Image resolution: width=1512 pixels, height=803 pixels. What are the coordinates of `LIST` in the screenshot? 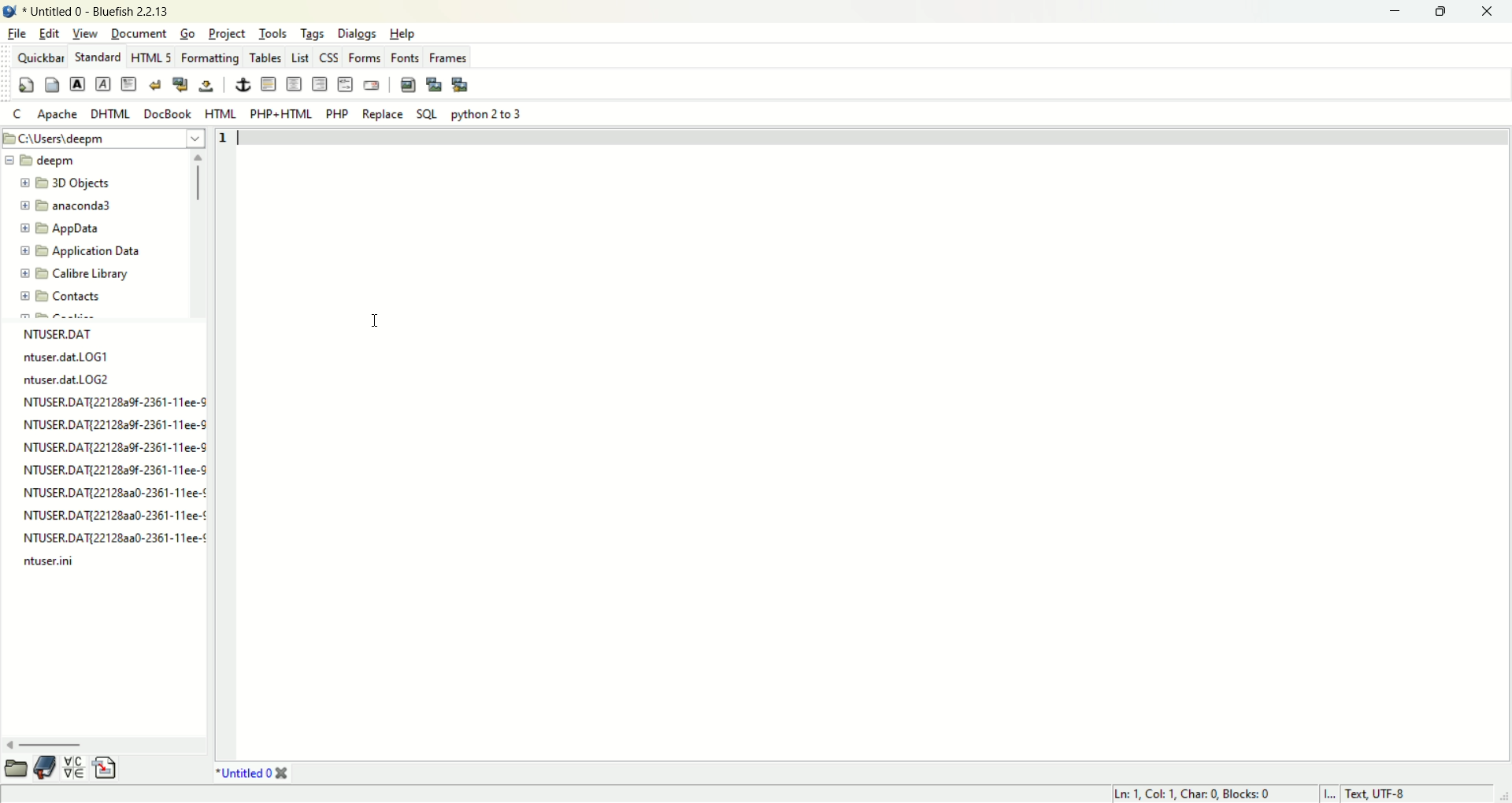 It's located at (302, 58).